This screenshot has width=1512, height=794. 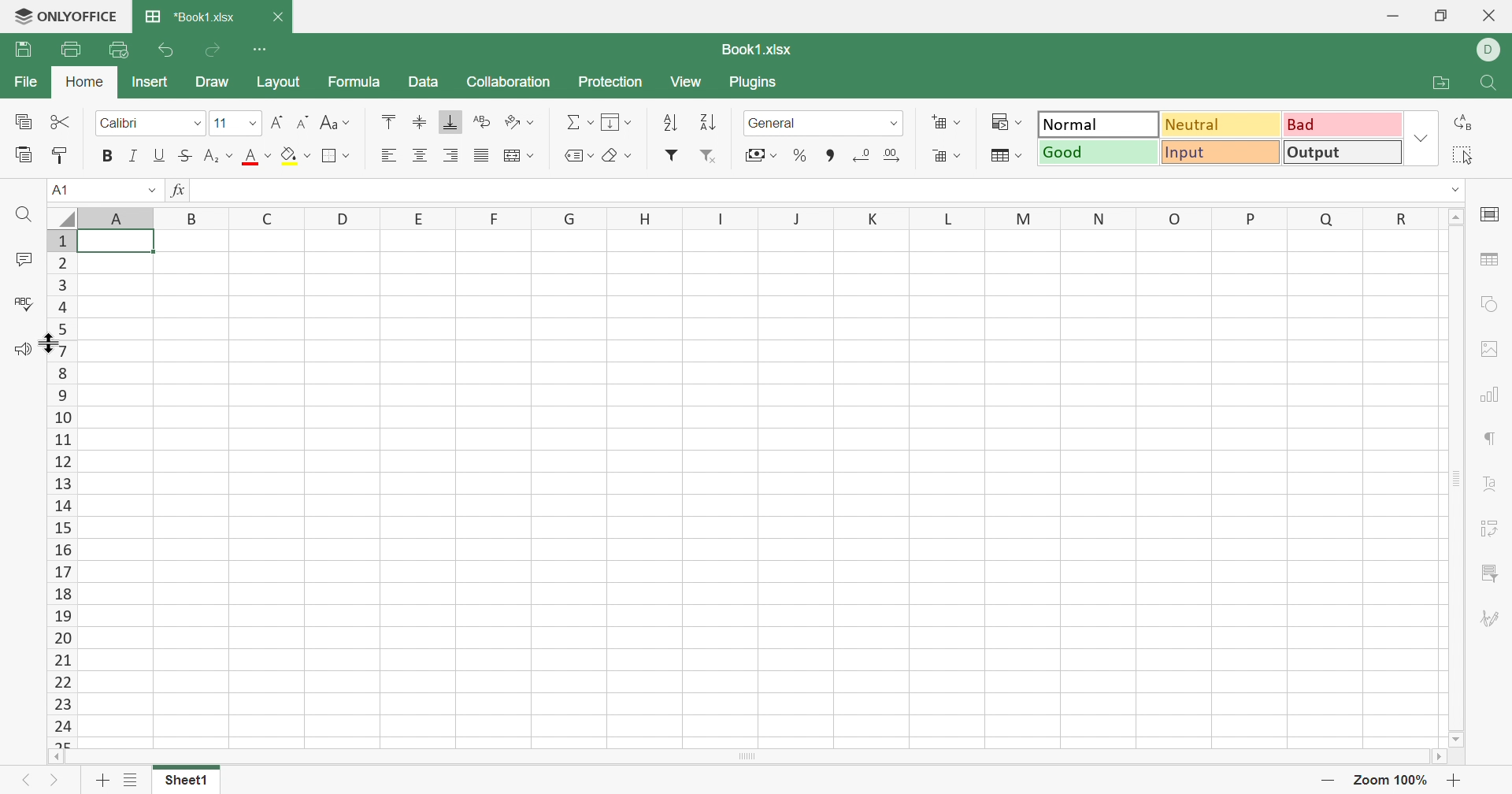 I want to click on Font color, so click(x=258, y=158).